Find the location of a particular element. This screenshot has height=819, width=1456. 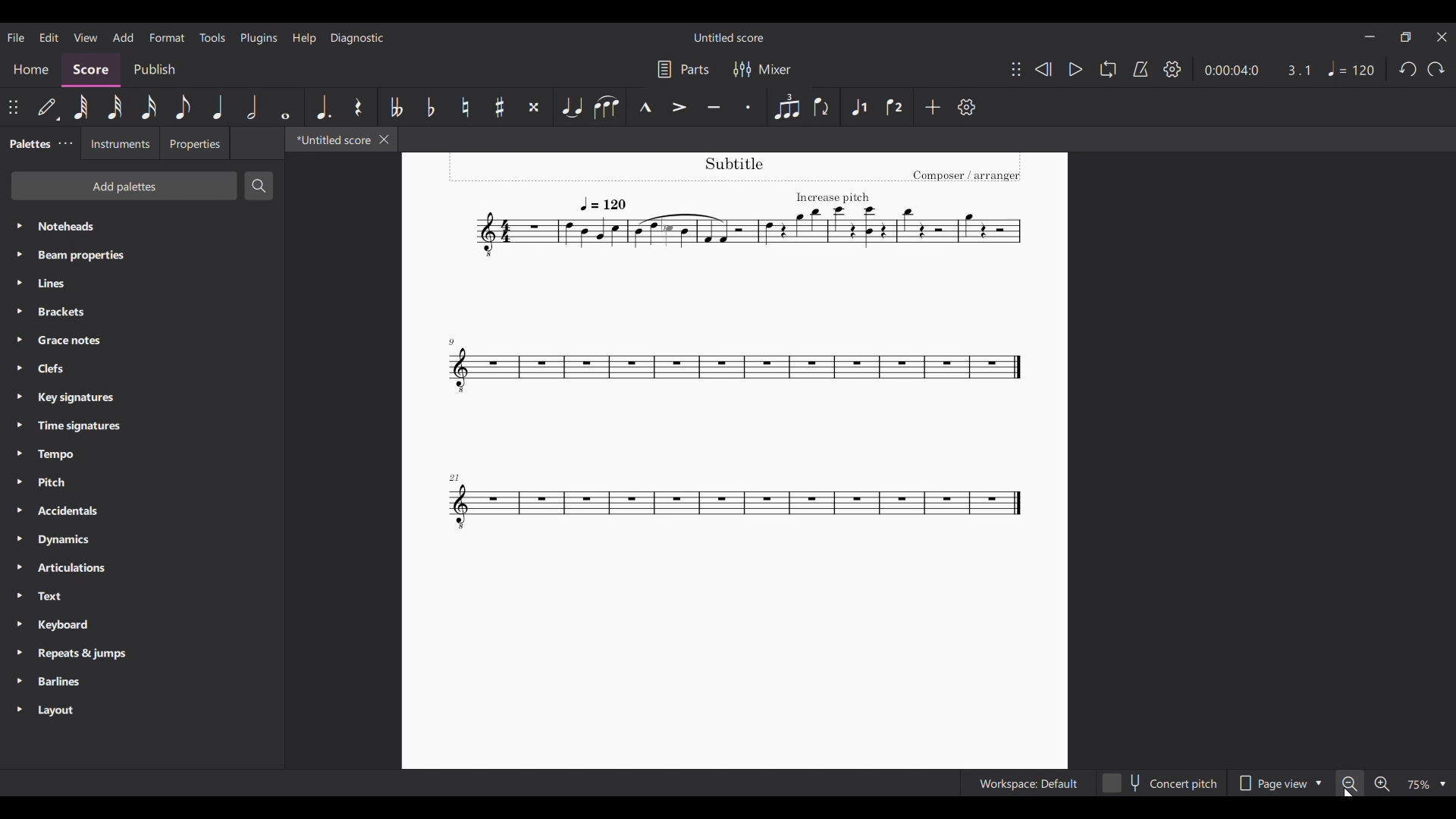

Undo is located at coordinates (1408, 69).